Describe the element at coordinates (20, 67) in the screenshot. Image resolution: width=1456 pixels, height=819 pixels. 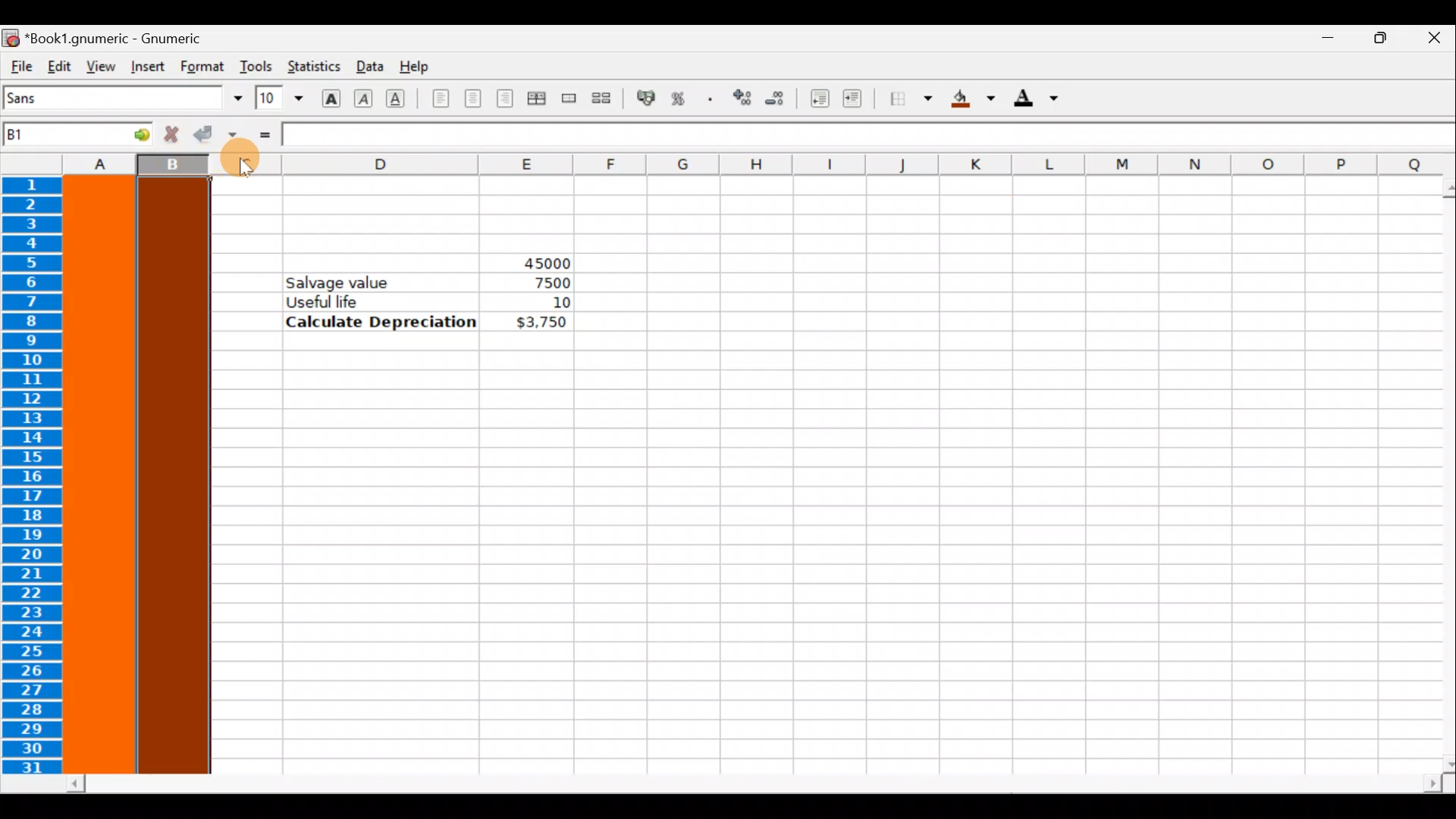
I see `File` at that location.